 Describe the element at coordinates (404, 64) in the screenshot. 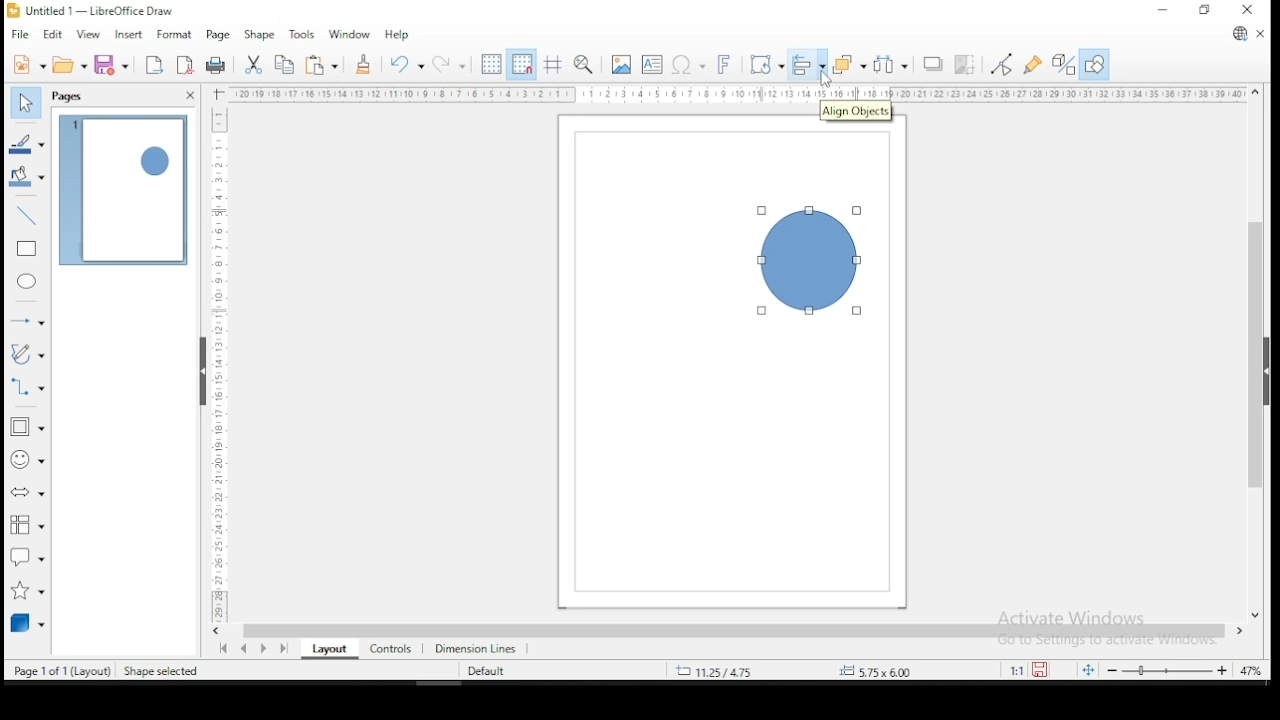

I see `undo` at that location.